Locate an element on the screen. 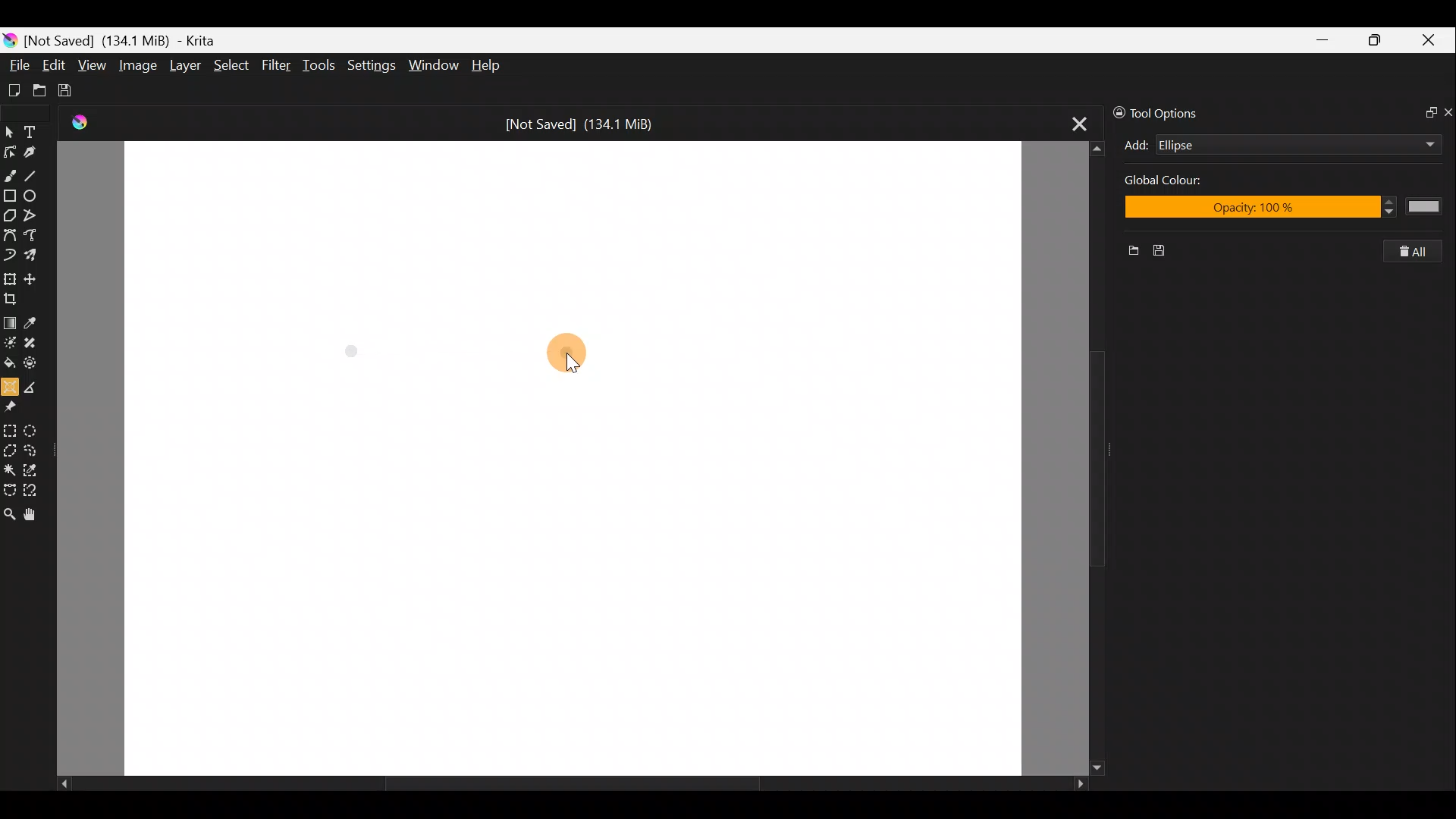 The image size is (1456, 819). Krita Logo is located at coordinates (77, 123).